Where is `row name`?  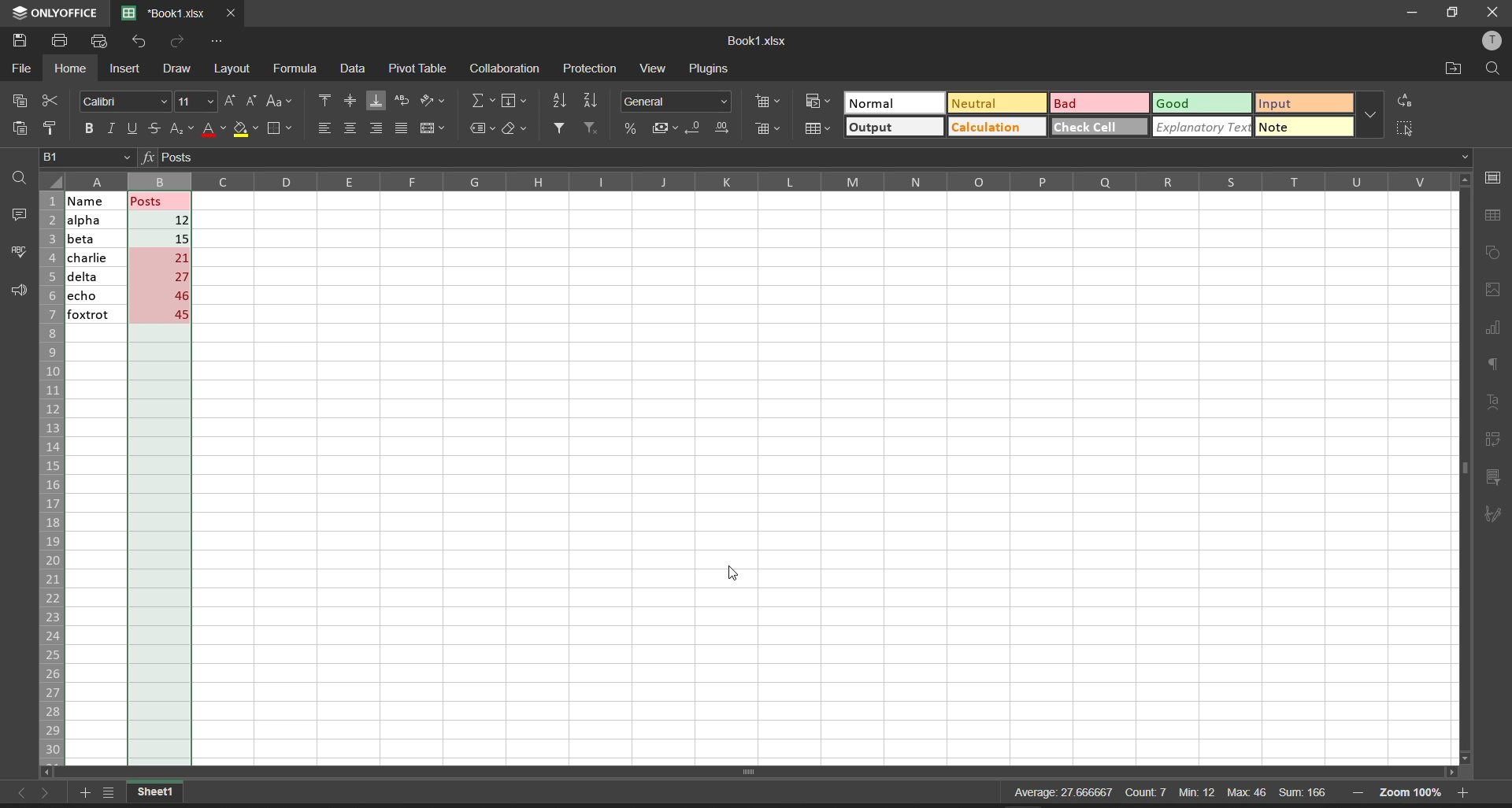 row name is located at coordinates (54, 473).